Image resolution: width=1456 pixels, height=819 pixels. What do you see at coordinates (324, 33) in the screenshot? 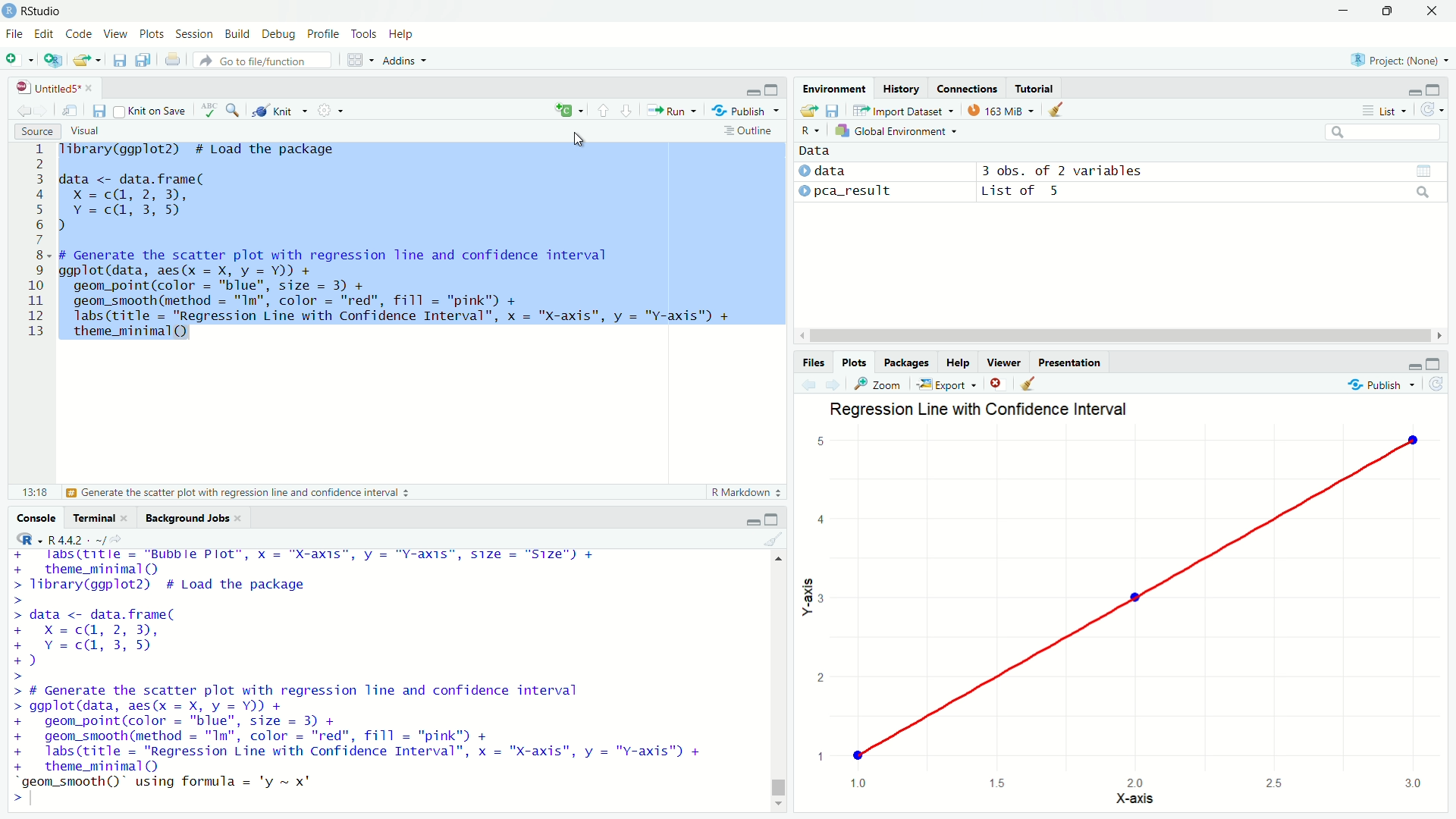
I see `Profile` at bounding box center [324, 33].